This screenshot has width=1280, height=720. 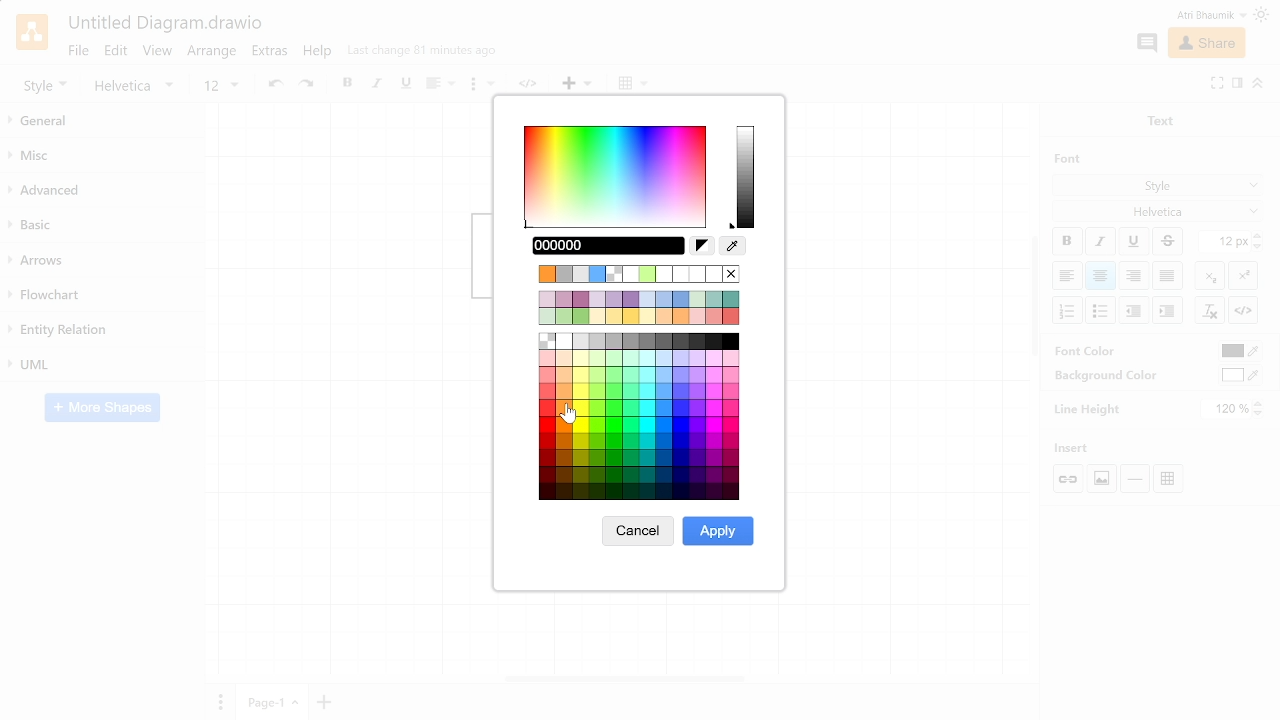 What do you see at coordinates (309, 85) in the screenshot?
I see `redo` at bounding box center [309, 85].